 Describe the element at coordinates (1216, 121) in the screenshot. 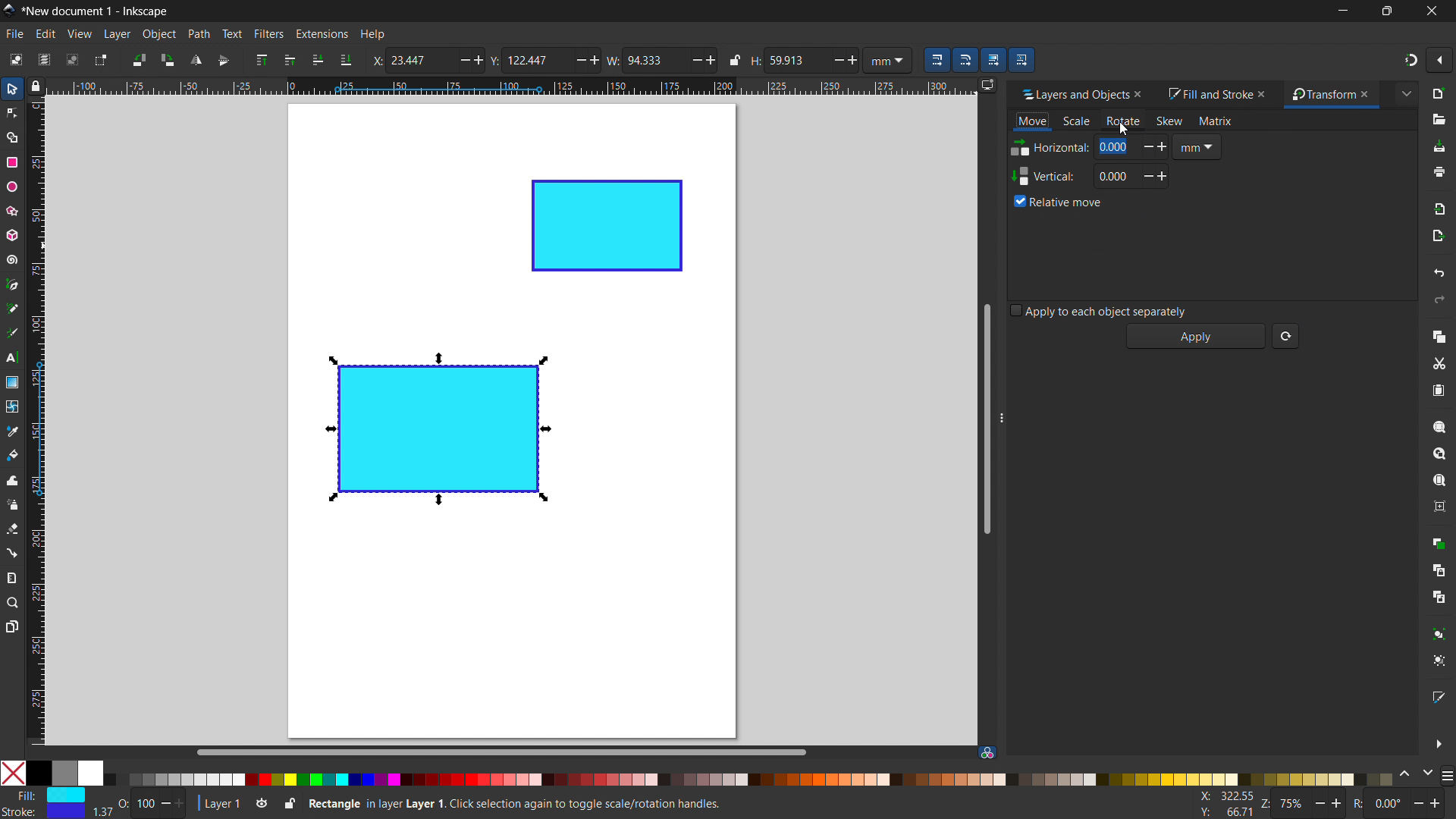

I see `matrix` at that location.